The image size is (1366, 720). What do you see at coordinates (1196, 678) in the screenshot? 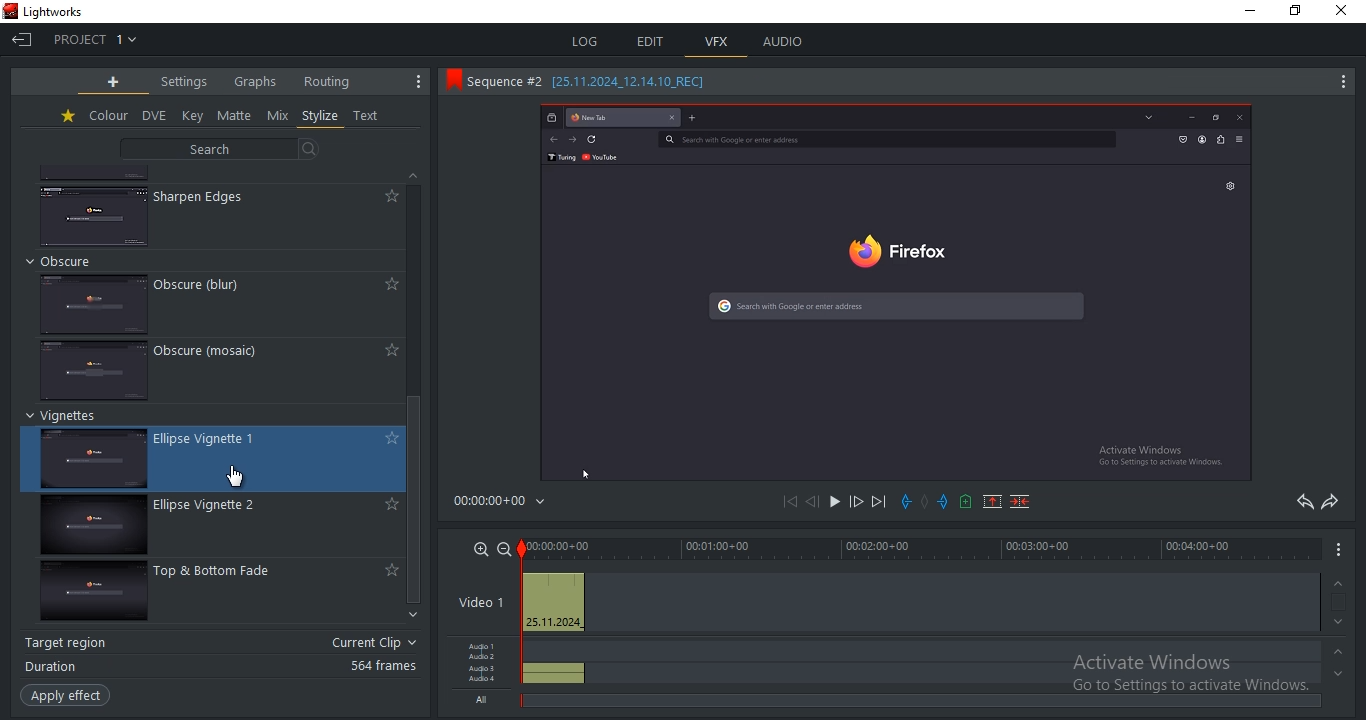
I see `Activate Windows
Go to Settings to activate Windows` at bounding box center [1196, 678].